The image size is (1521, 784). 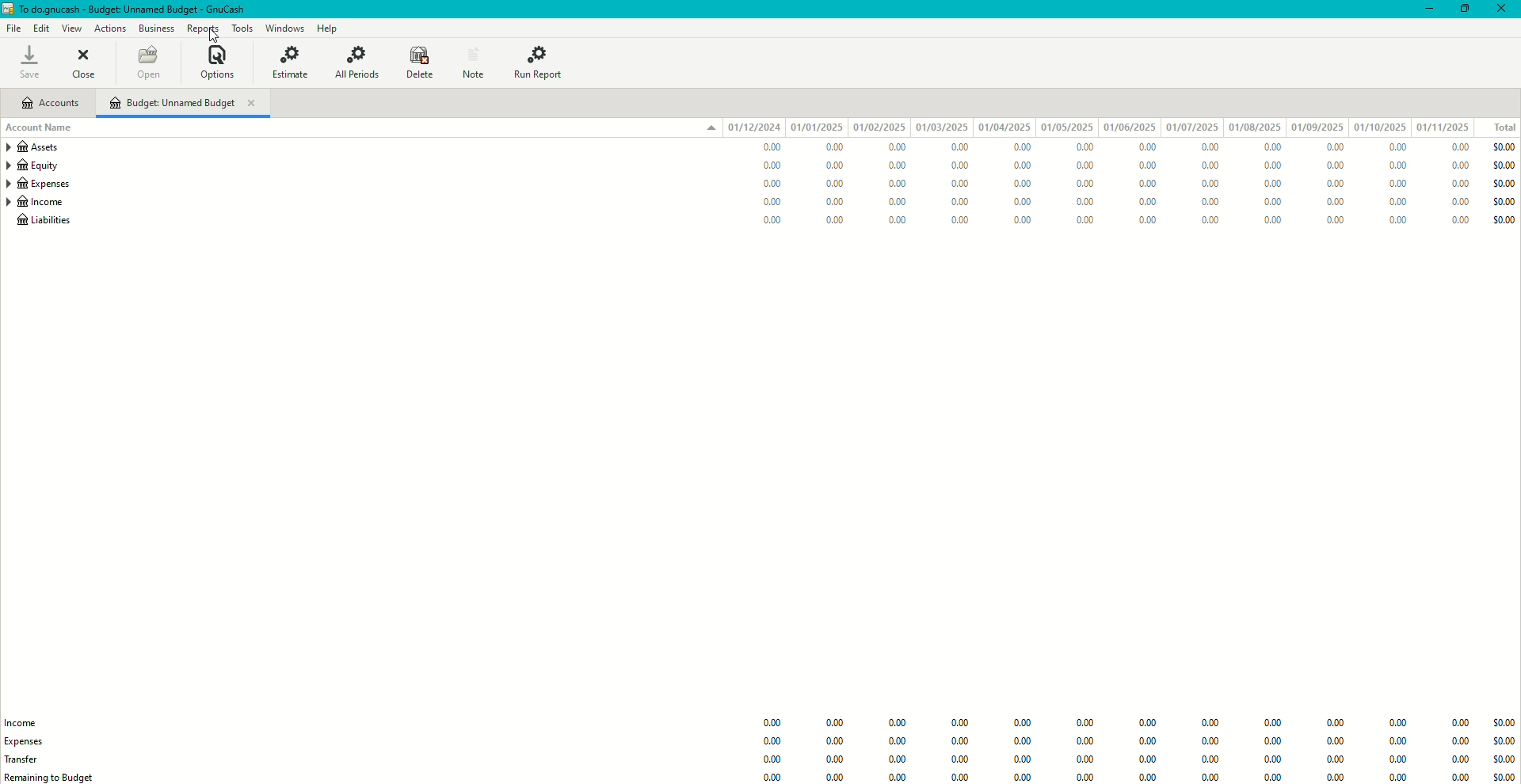 I want to click on 0.00, so click(x=1340, y=201).